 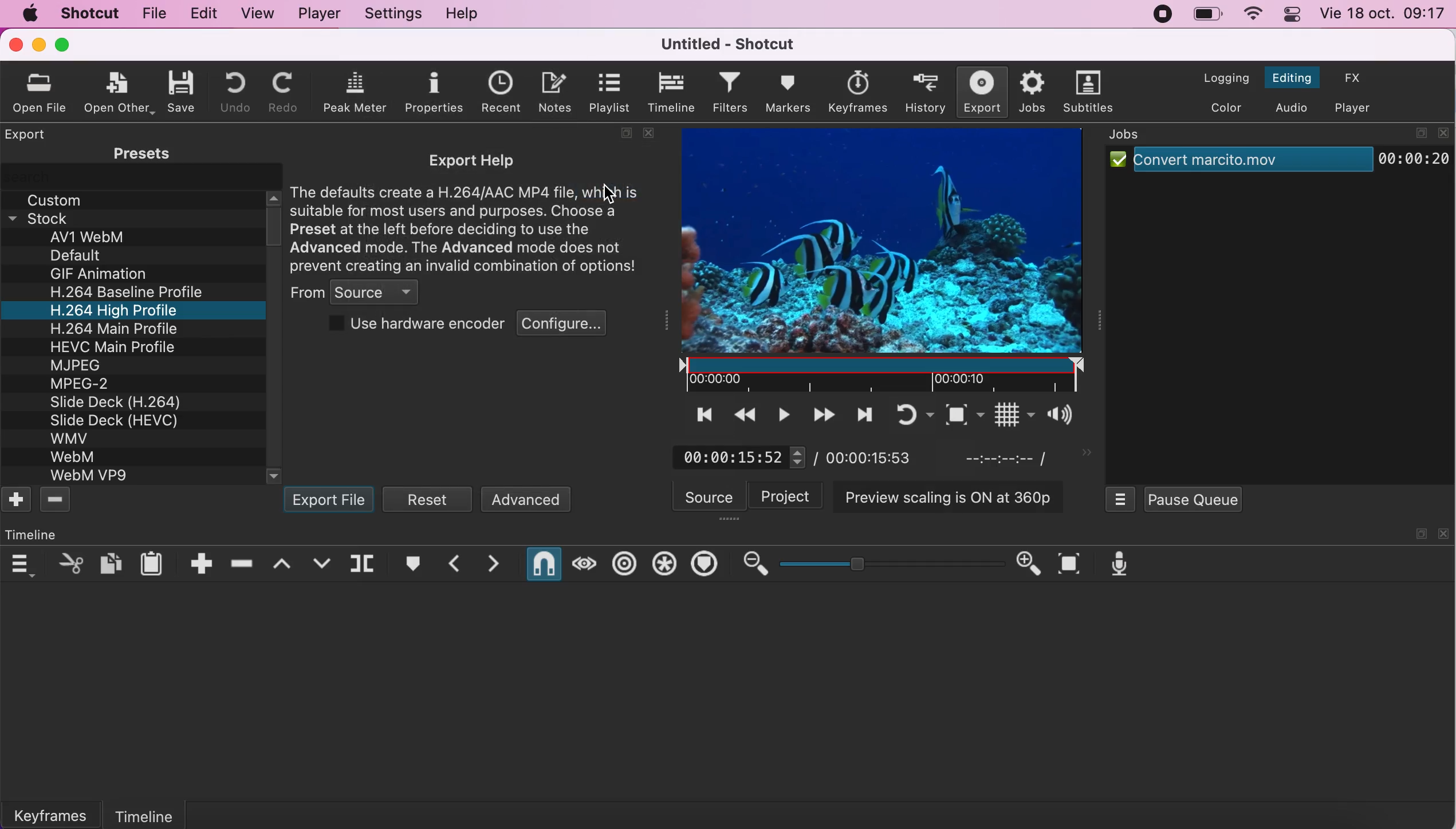 I want to click on current position, so click(x=736, y=456).